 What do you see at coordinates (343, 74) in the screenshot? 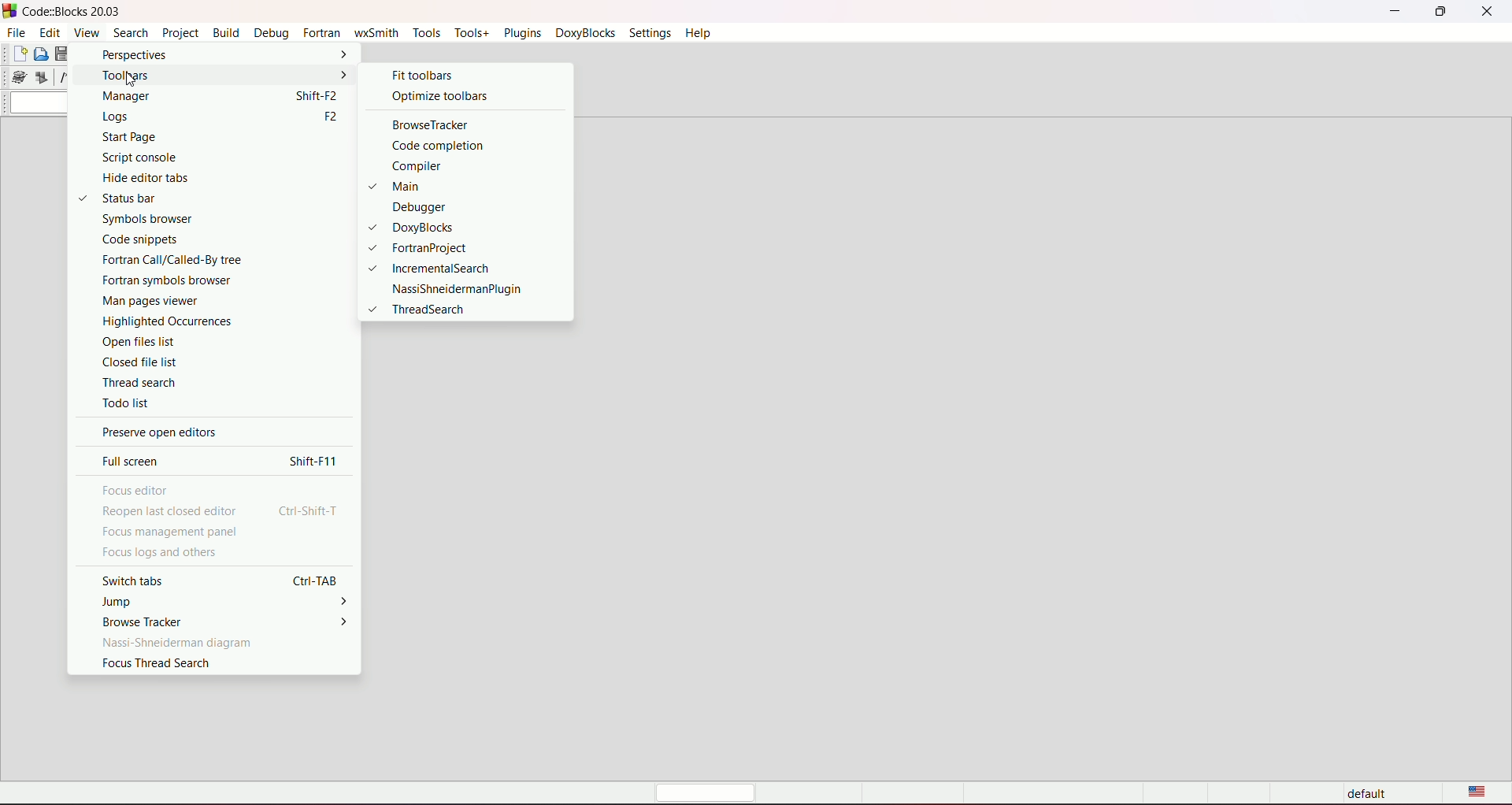
I see `arrow` at bounding box center [343, 74].